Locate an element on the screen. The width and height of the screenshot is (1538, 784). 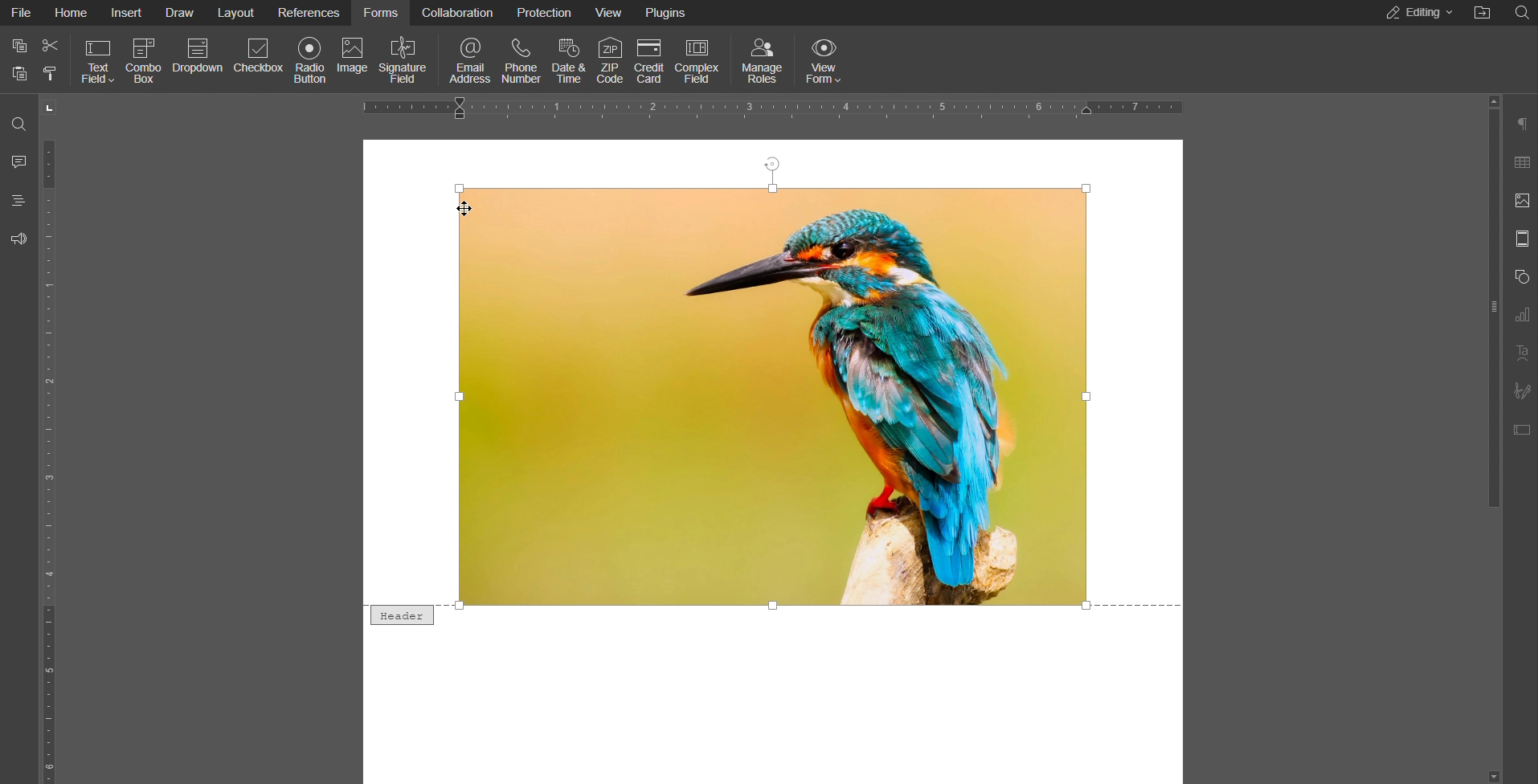
Open File Location is located at coordinates (1484, 12).